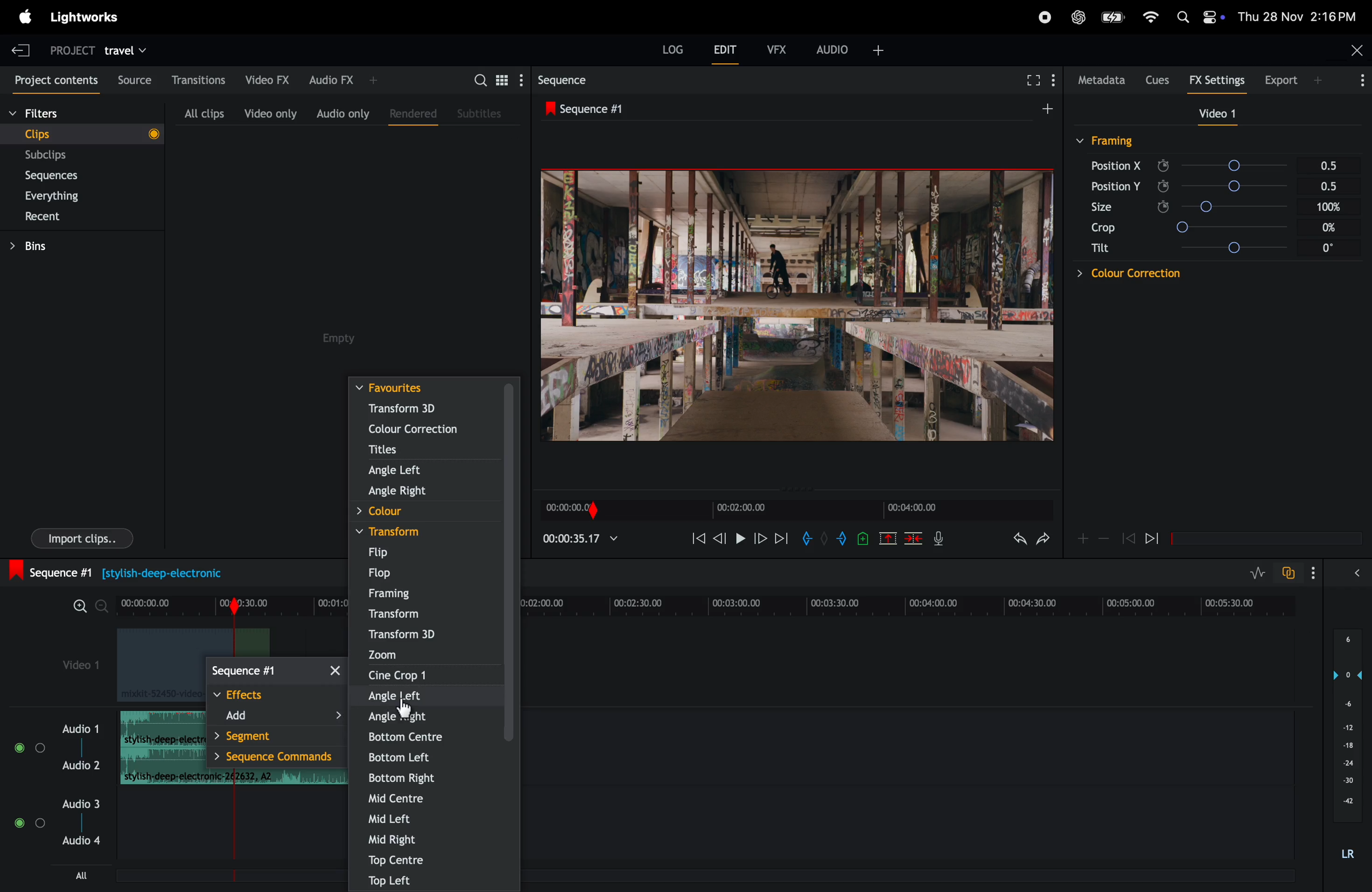  I want to click on apple menu, so click(22, 17).